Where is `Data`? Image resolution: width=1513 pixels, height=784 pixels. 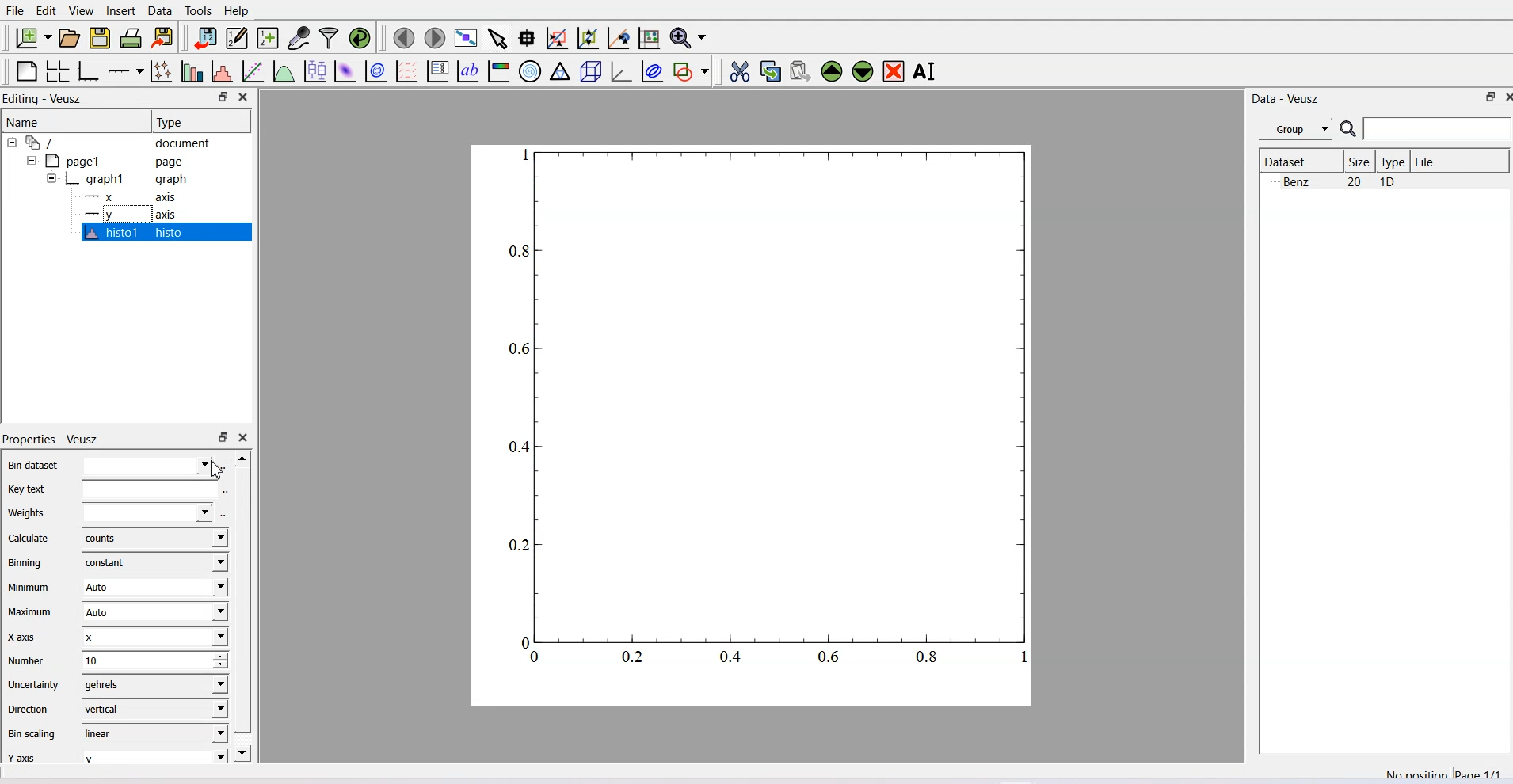 Data is located at coordinates (160, 11).